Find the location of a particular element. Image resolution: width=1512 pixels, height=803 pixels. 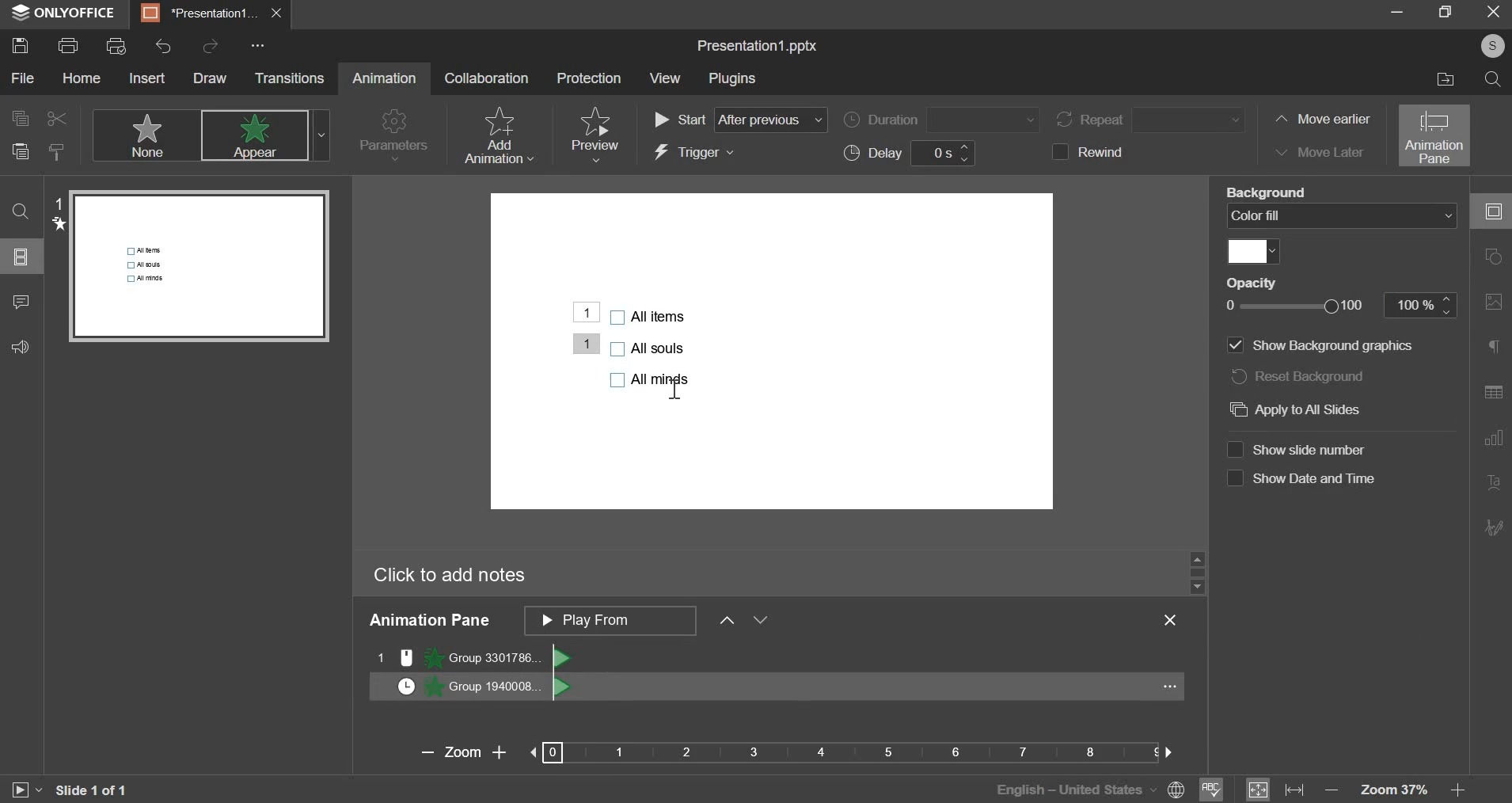

slider is located at coordinates (1196, 571).